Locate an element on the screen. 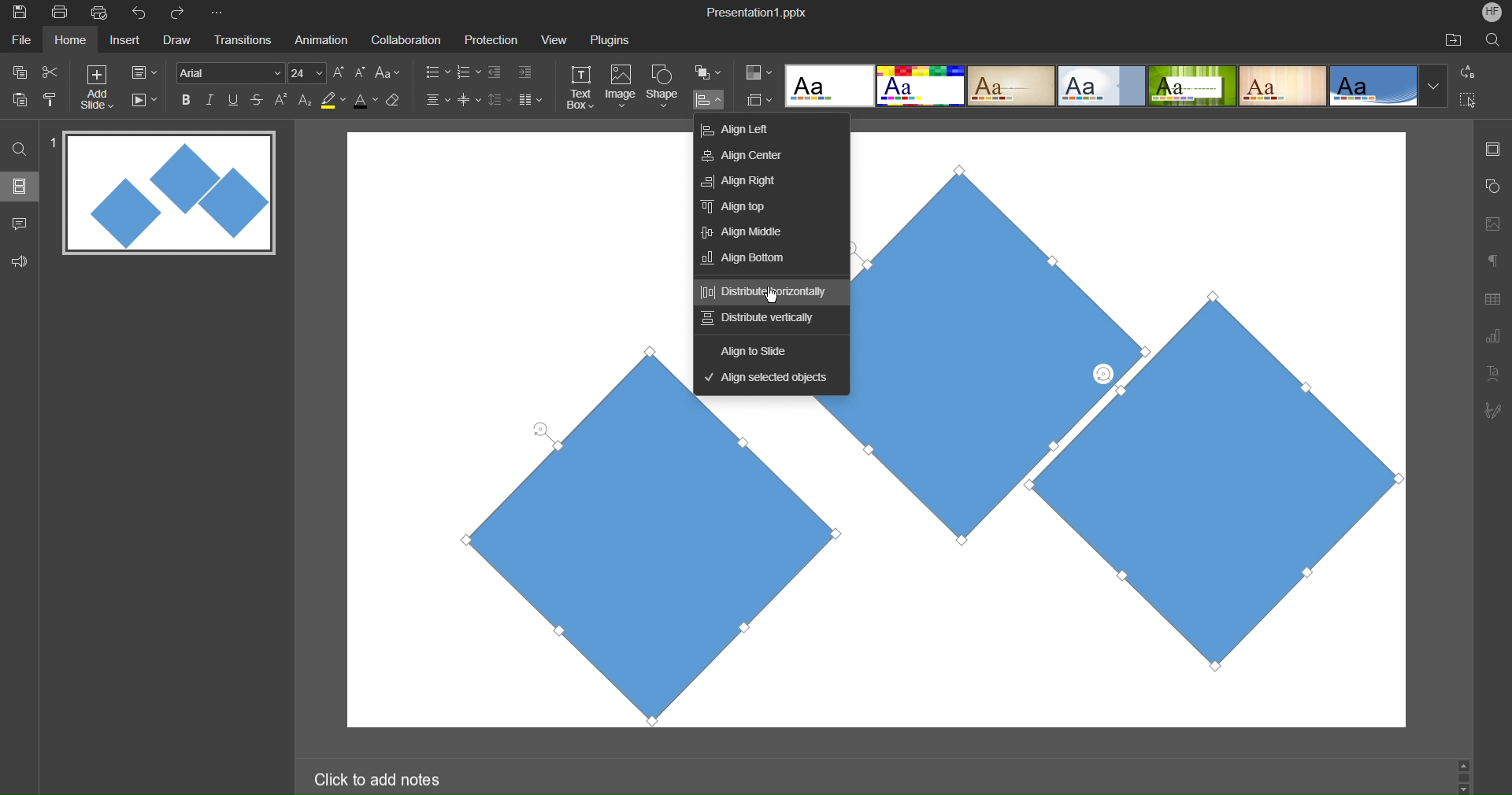  Shape 2 Selected is located at coordinates (982, 348).